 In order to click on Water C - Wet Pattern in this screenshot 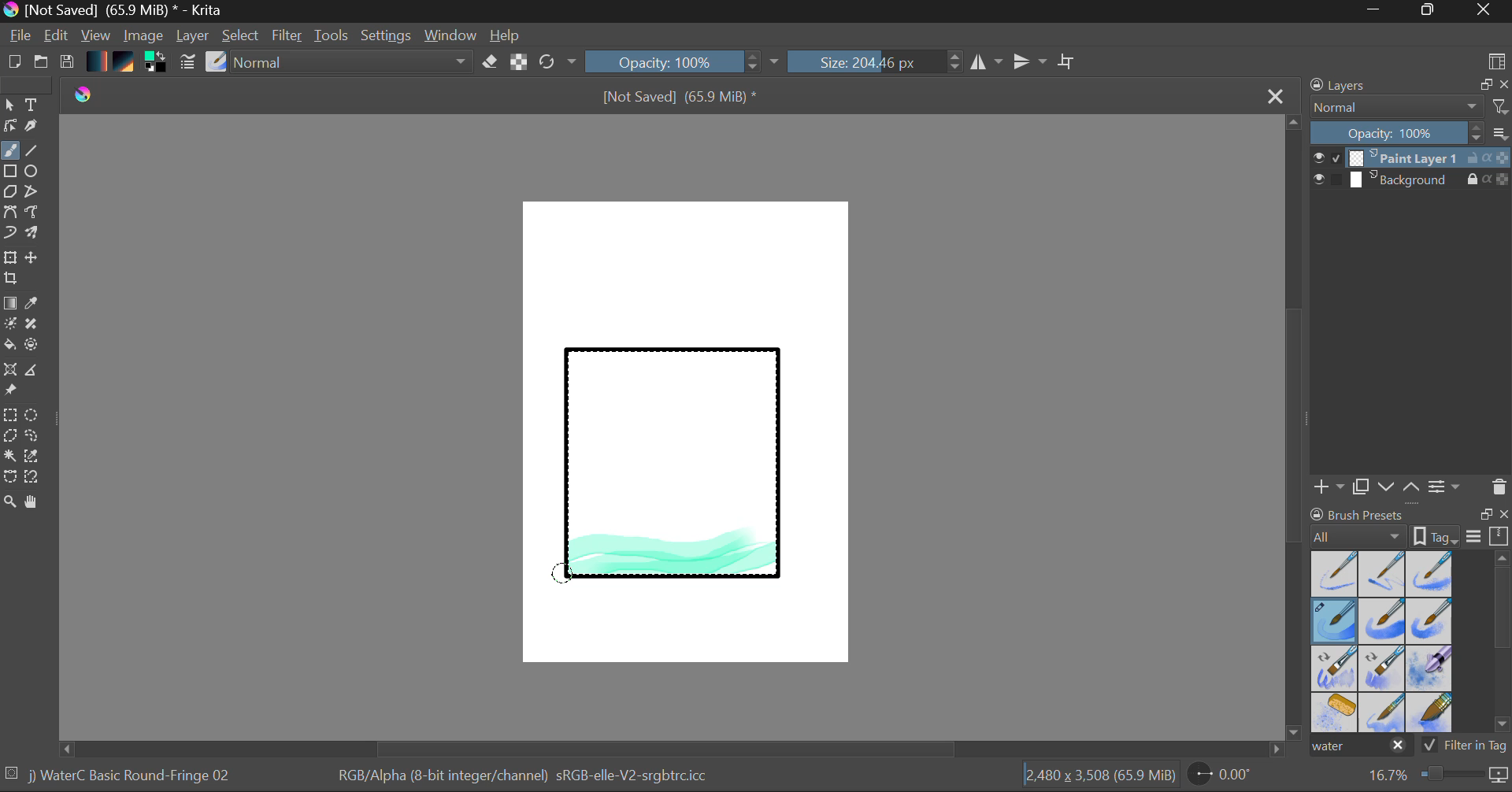, I will do `click(1429, 574)`.